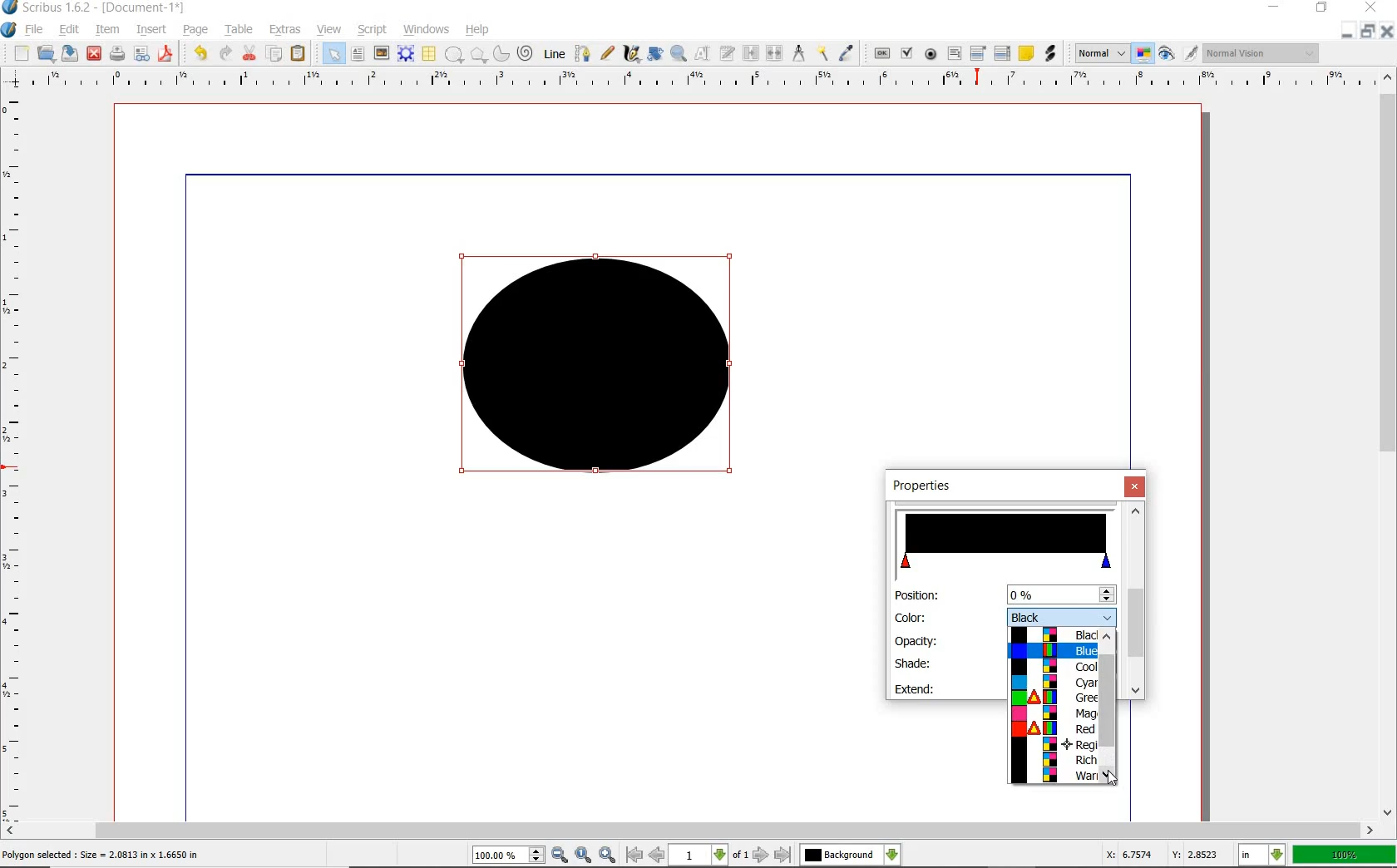  What do you see at coordinates (250, 52) in the screenshot?
I see `CUT` at bounding box center [250, 52].